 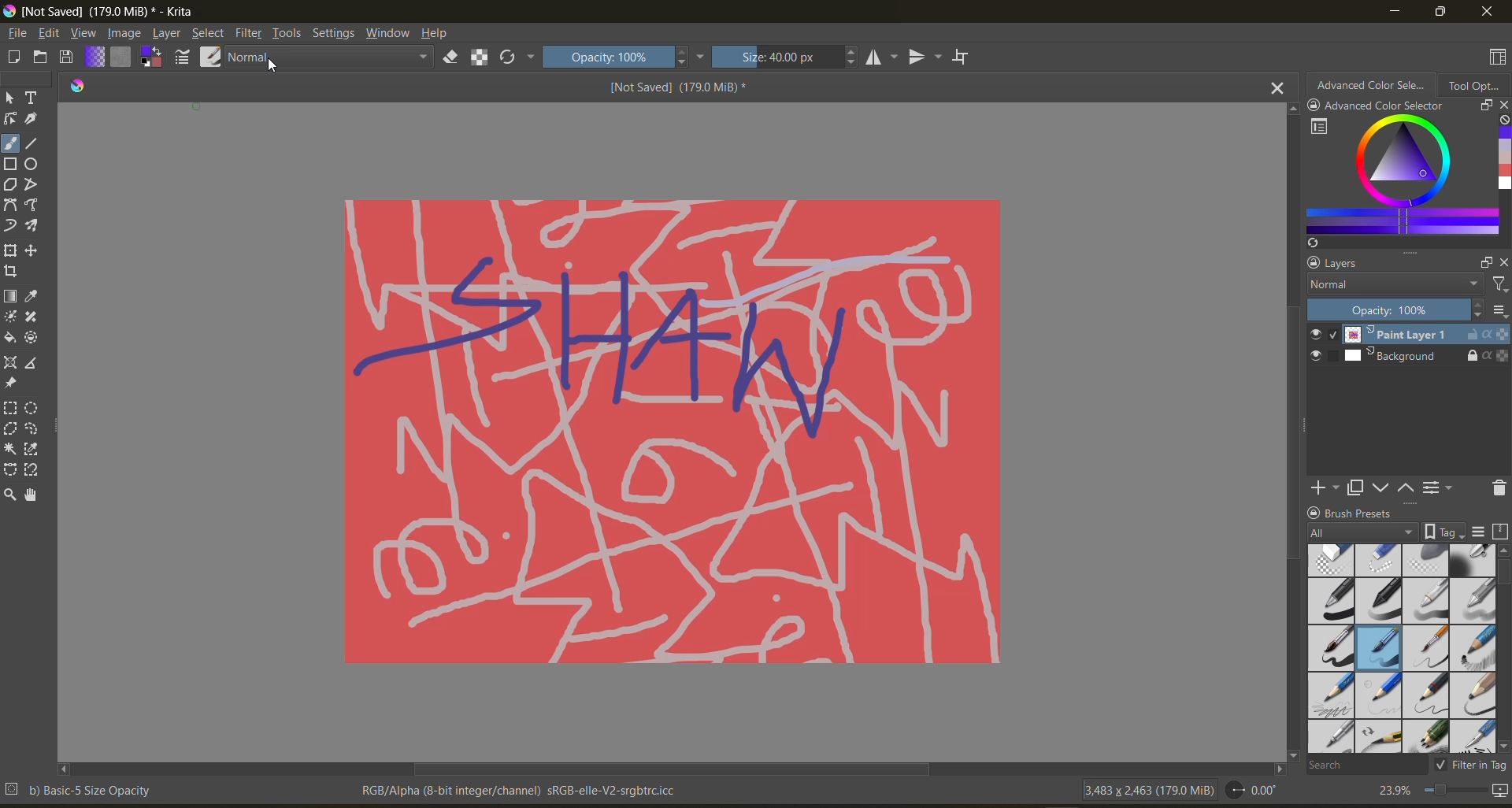 What do you see at coordinates (1396, 310) in the screenshot?
I see `Opacity: 100%` at bounding box center [1396, 310].